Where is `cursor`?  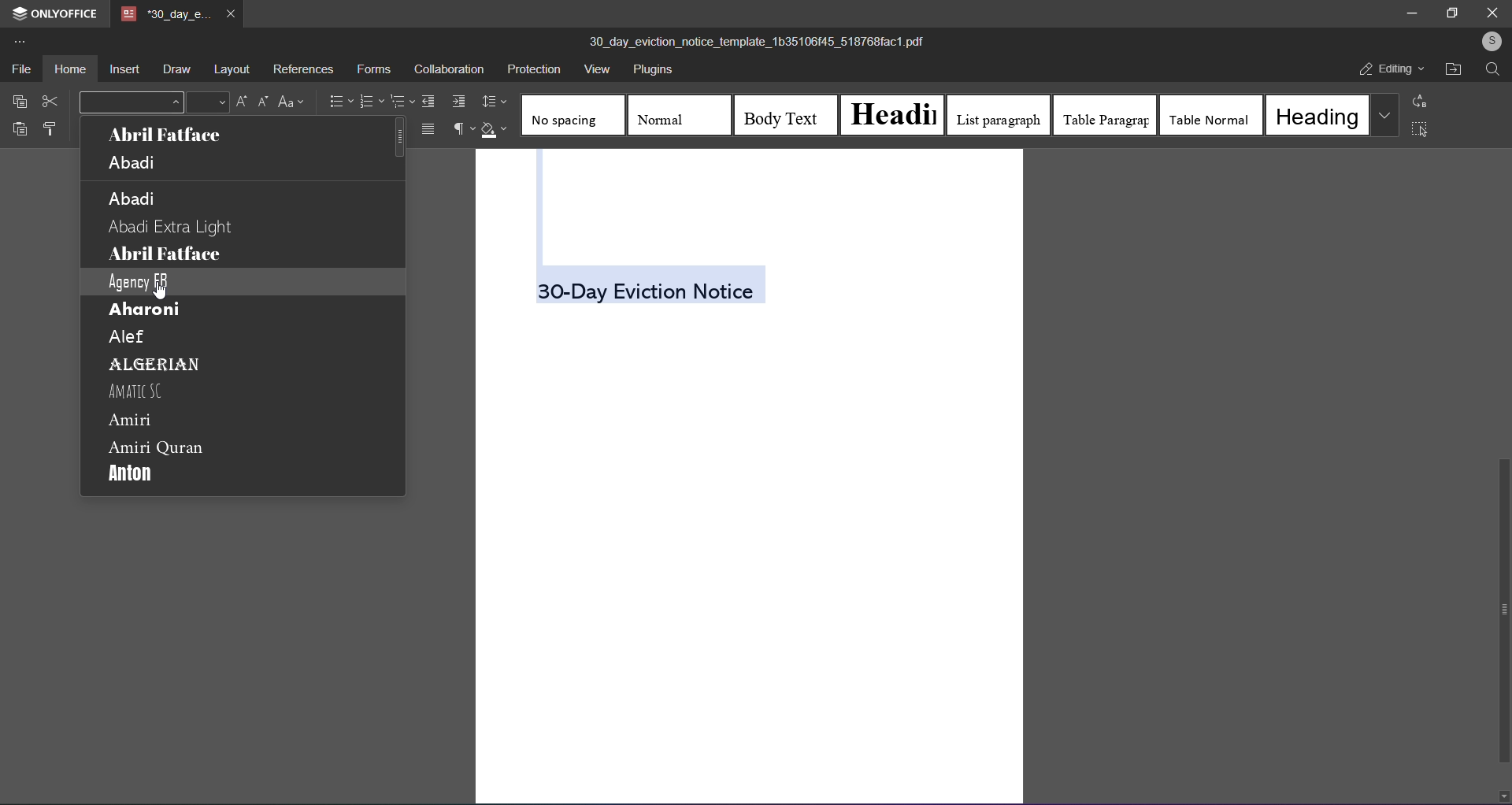 cursor is located at coordinates (160, 290).